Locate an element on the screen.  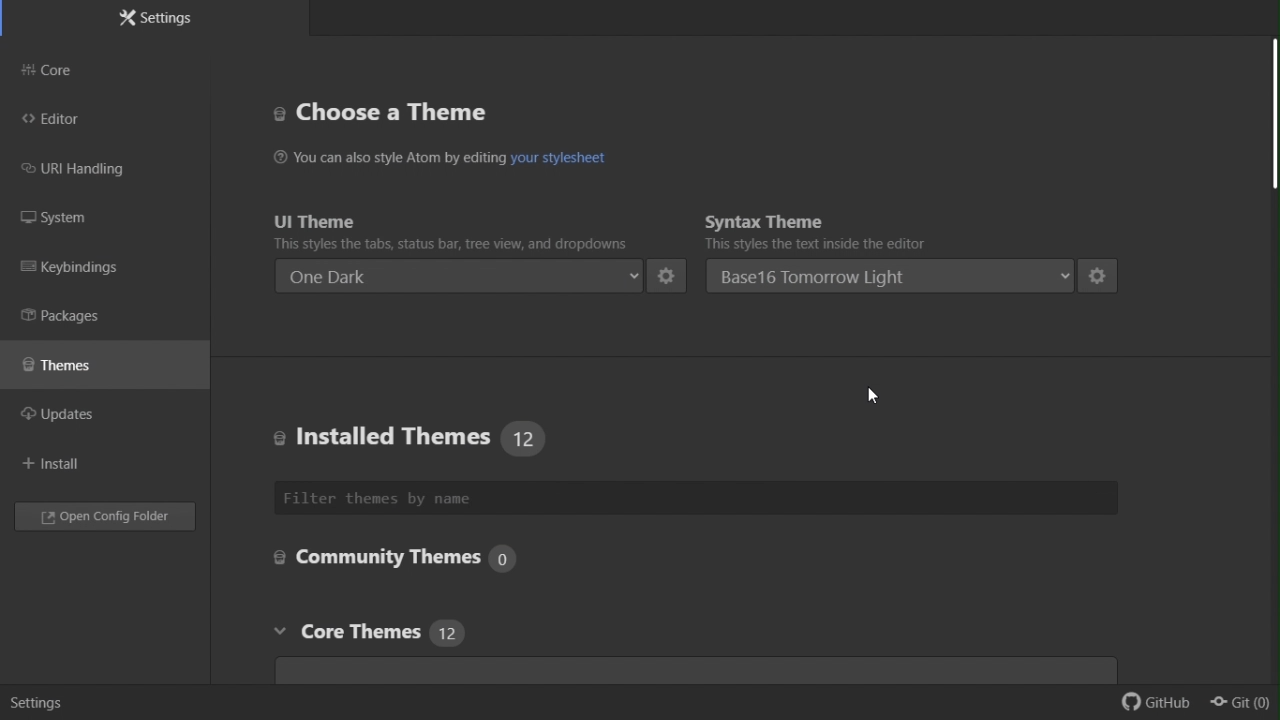
Settings is located at coordinates (157, 19).